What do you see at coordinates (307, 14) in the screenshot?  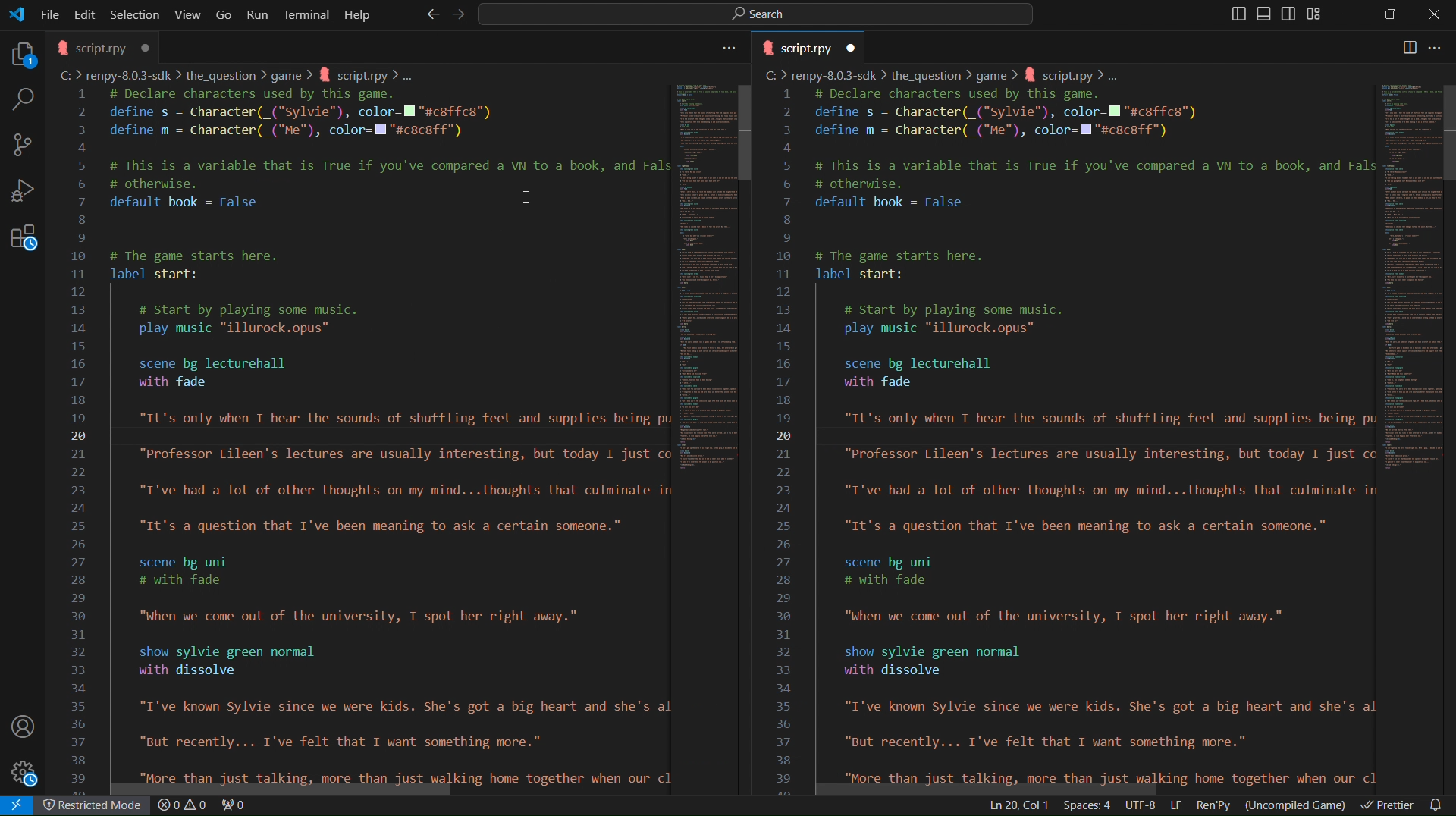 I see `Terminal` at bounding box center [307, 14].